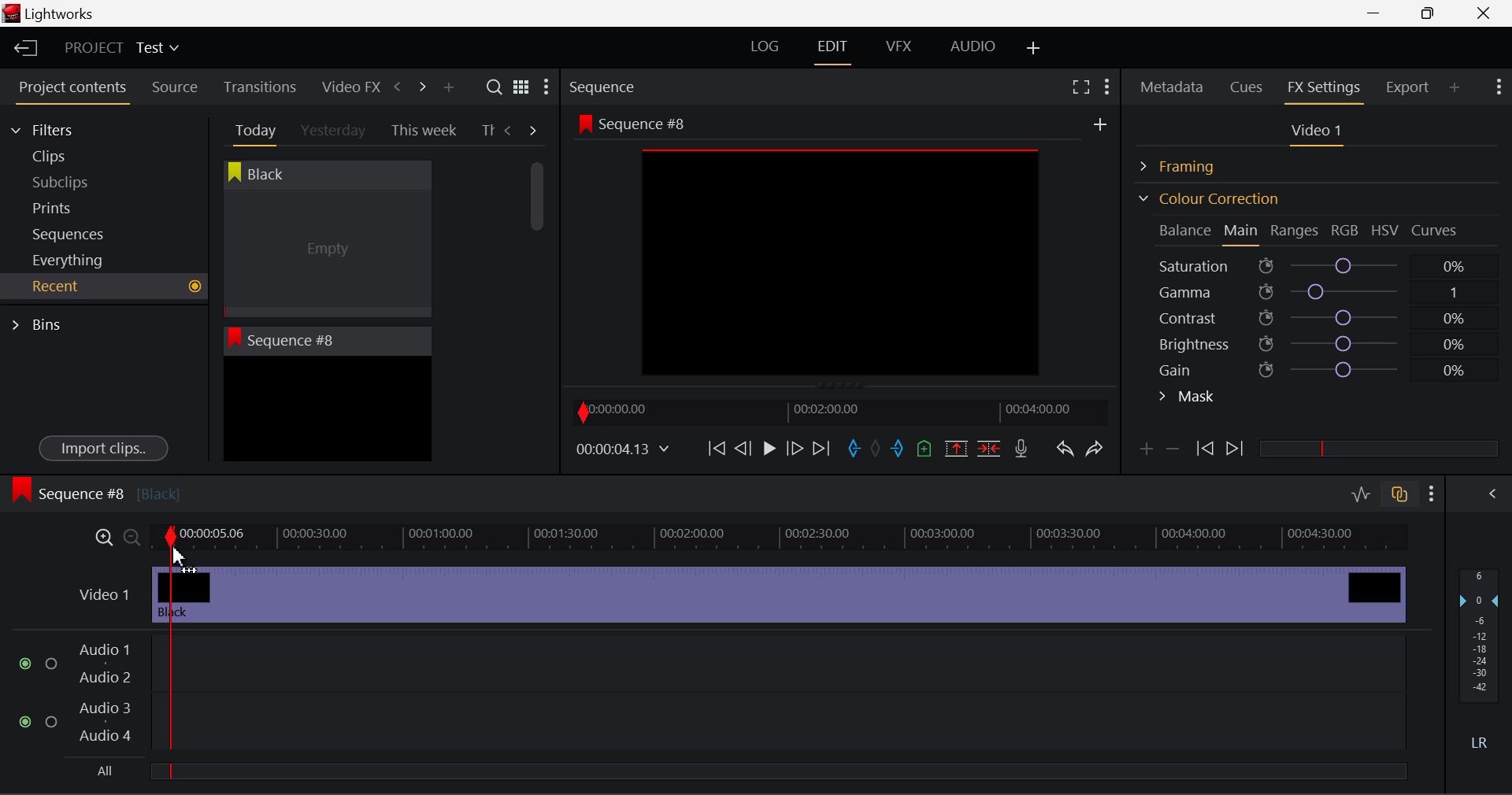  I want to click on RGB, so click(1346, 231).